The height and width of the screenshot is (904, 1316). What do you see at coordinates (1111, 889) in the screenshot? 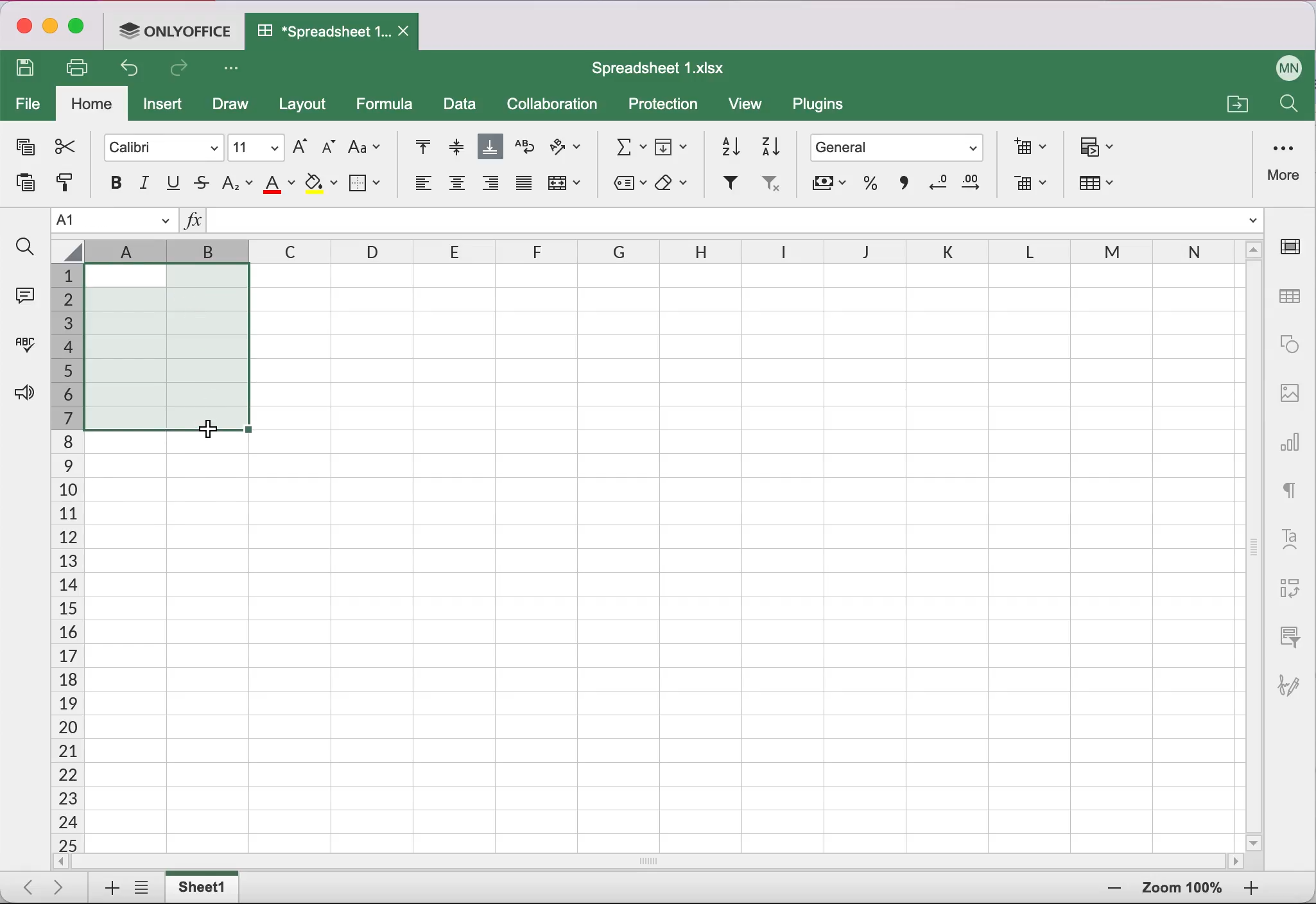
I see `zoom in` at bounding box center [1111, 889].